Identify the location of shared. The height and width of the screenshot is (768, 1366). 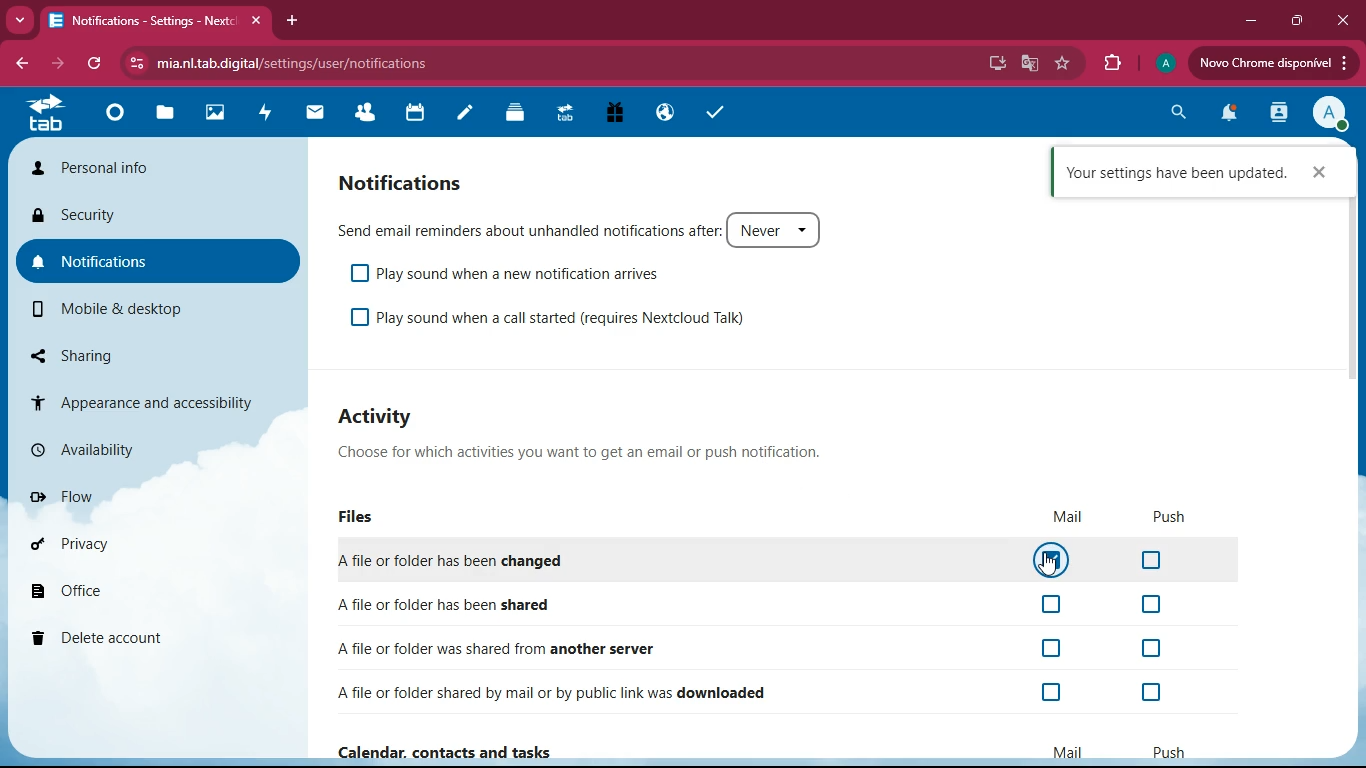
(490, 603).